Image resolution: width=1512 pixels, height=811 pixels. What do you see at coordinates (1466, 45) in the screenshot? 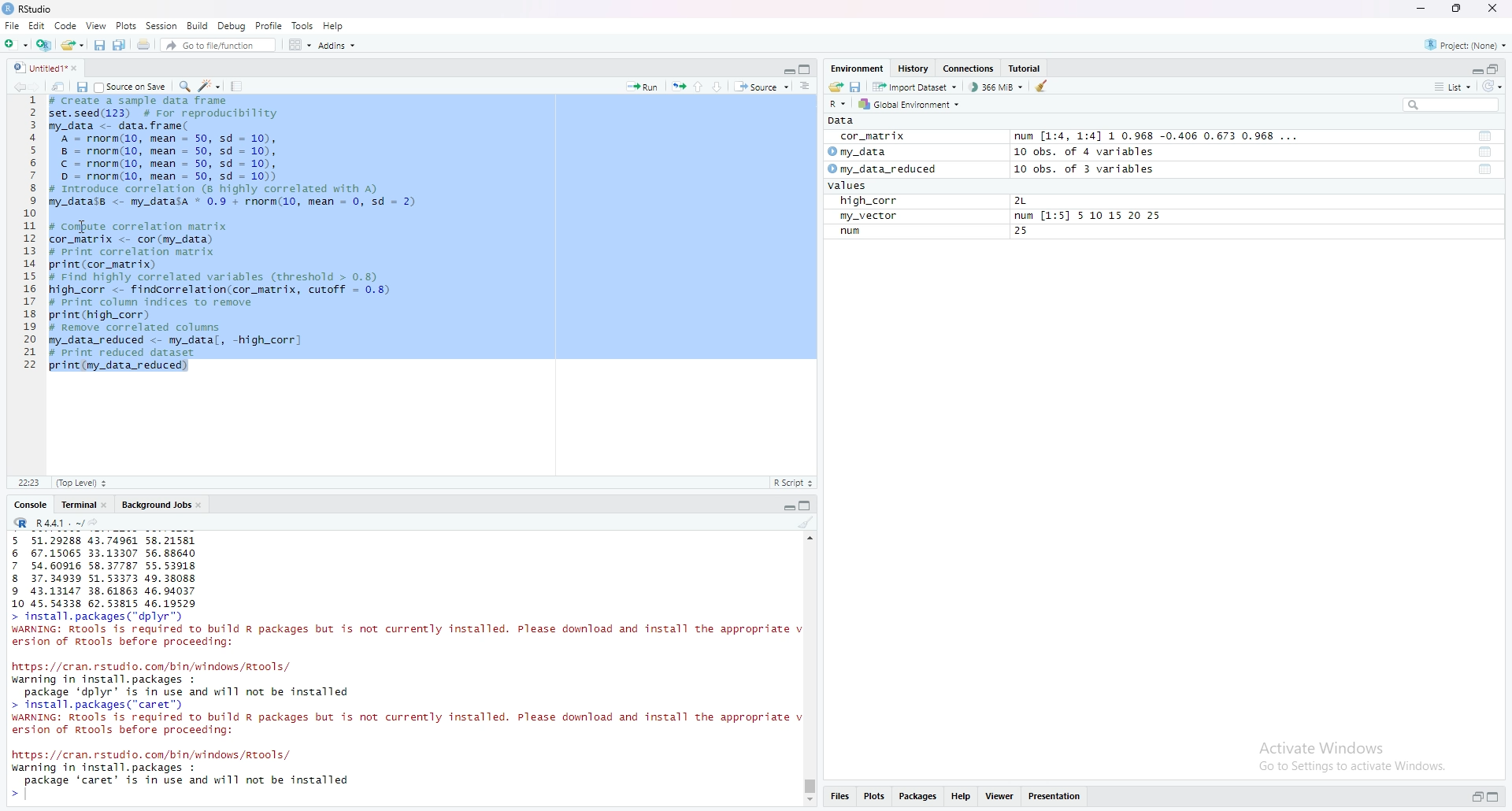
I see `Project: (None)` at bounding box center [1466, 45].